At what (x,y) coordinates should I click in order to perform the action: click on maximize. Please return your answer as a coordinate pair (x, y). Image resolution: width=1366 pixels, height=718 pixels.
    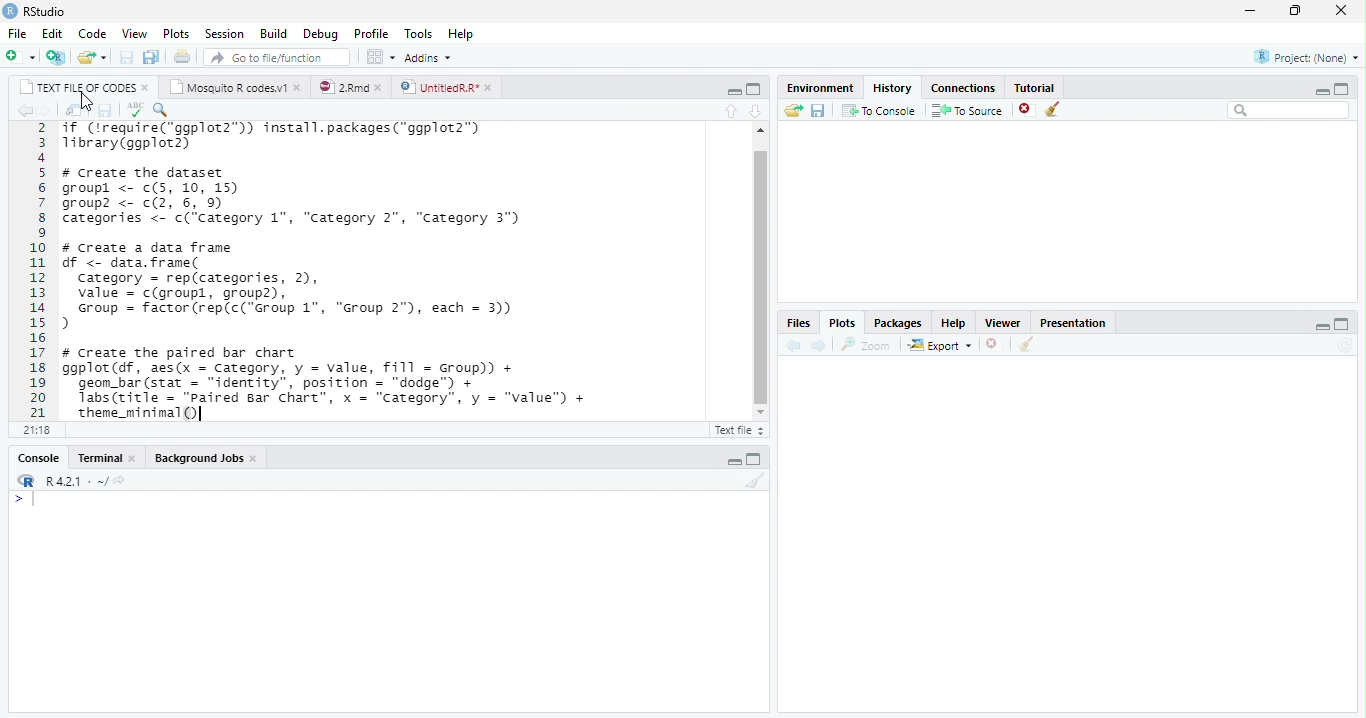
    Looking at the image, I should click on (758, 460).